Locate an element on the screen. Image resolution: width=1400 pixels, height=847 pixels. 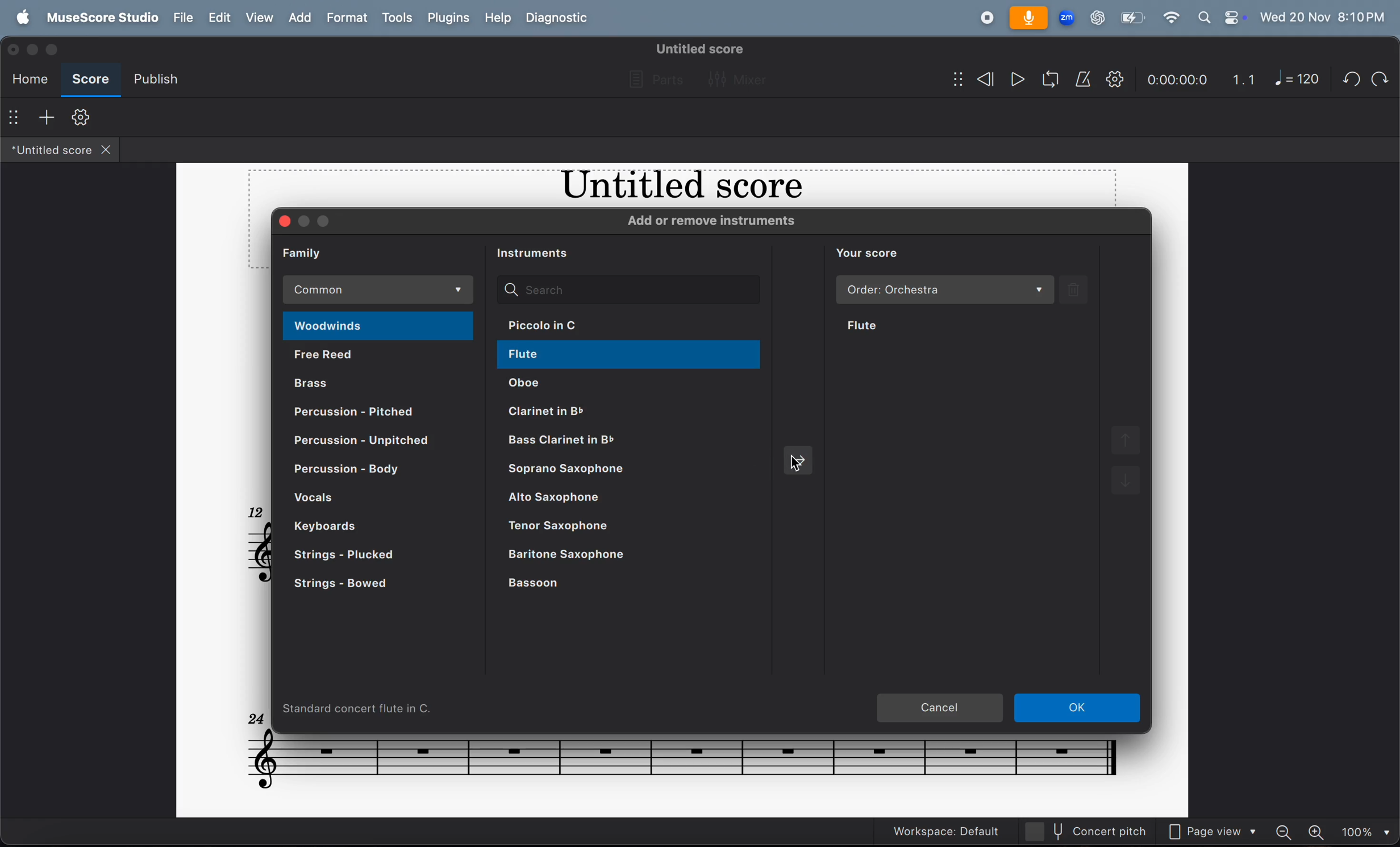
cancel is located at coordinates (940, 709).